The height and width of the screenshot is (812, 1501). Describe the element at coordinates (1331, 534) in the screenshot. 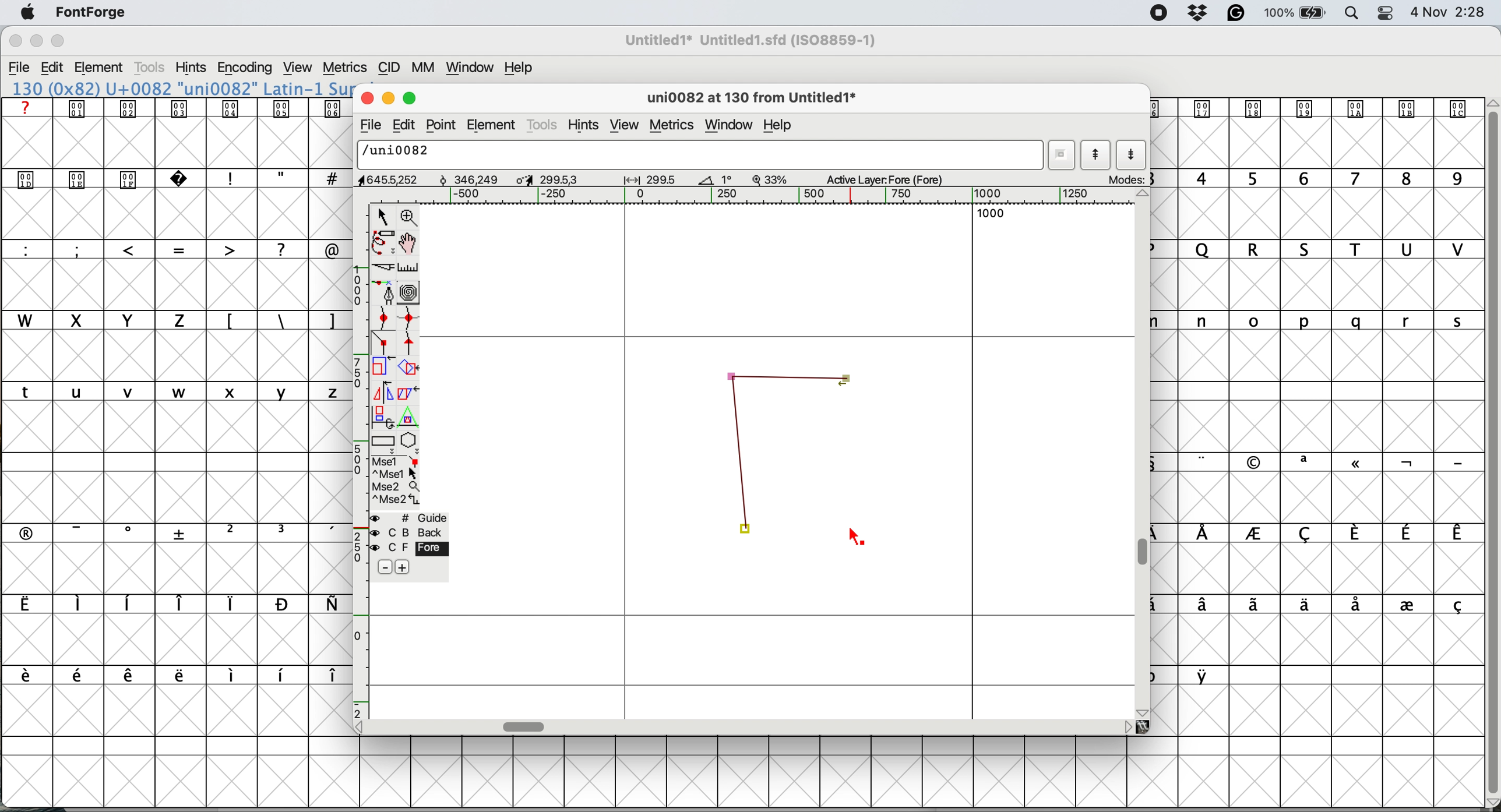

I see `symbols` at that location.